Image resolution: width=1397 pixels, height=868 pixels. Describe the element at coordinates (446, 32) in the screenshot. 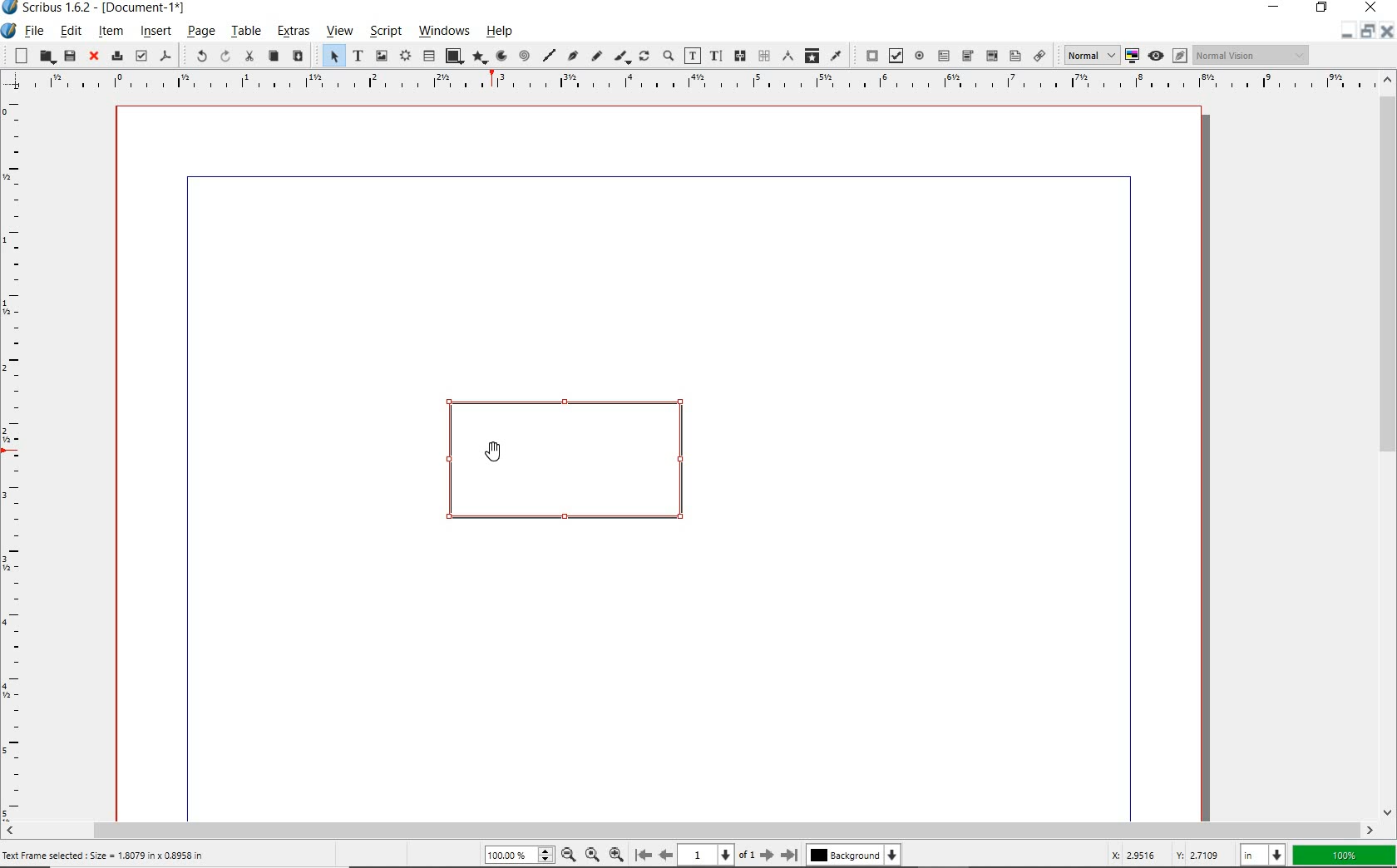

I see `windows` at that location.